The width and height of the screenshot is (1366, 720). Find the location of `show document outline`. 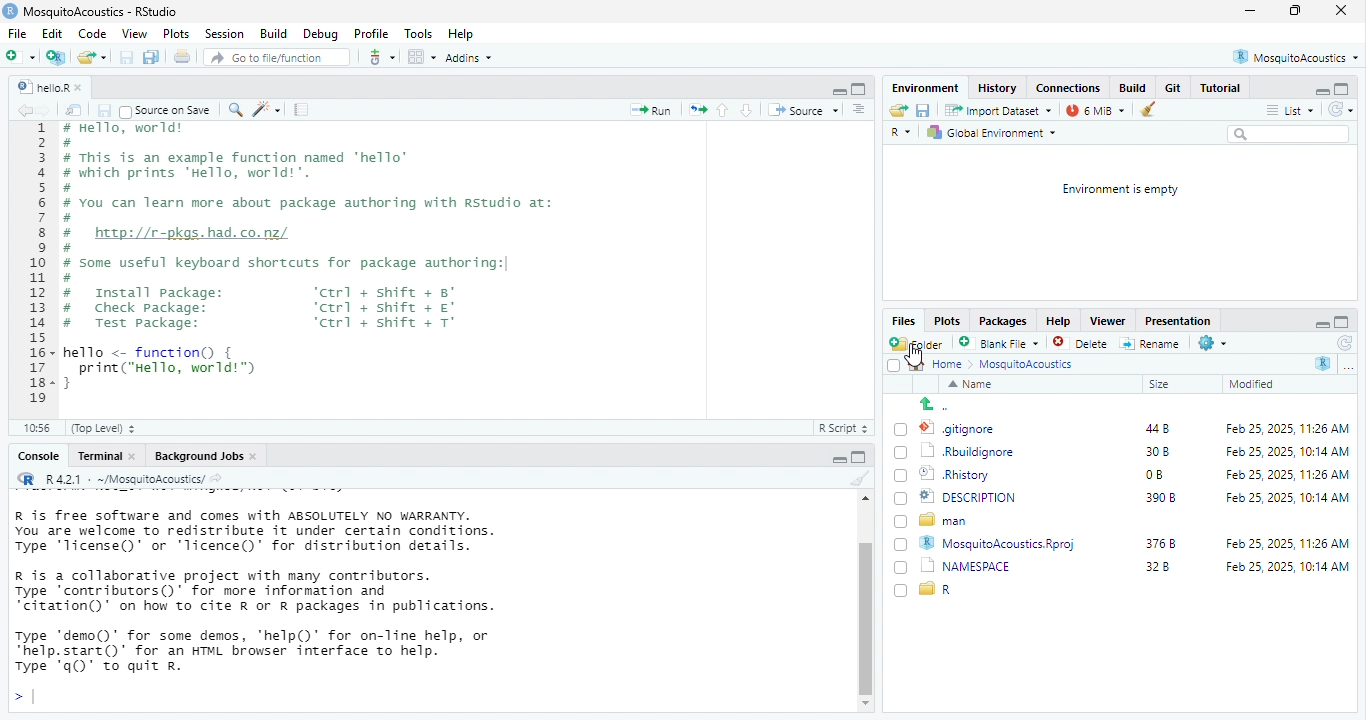

show document outline is located at coordinates (861, 111).